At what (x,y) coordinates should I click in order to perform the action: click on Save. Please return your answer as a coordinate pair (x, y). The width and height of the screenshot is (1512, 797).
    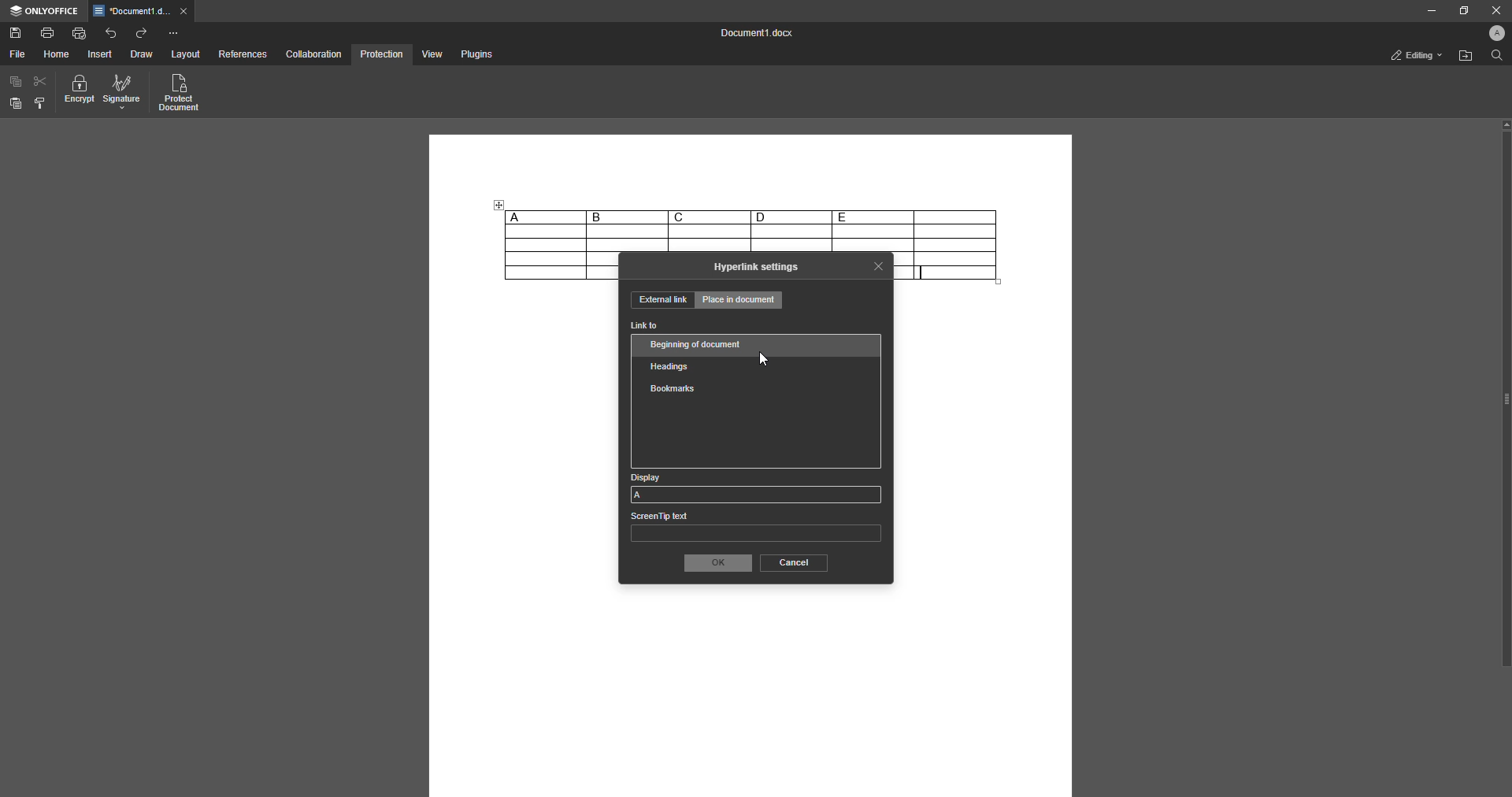
    Looking at the image, I should click on (16, 34).